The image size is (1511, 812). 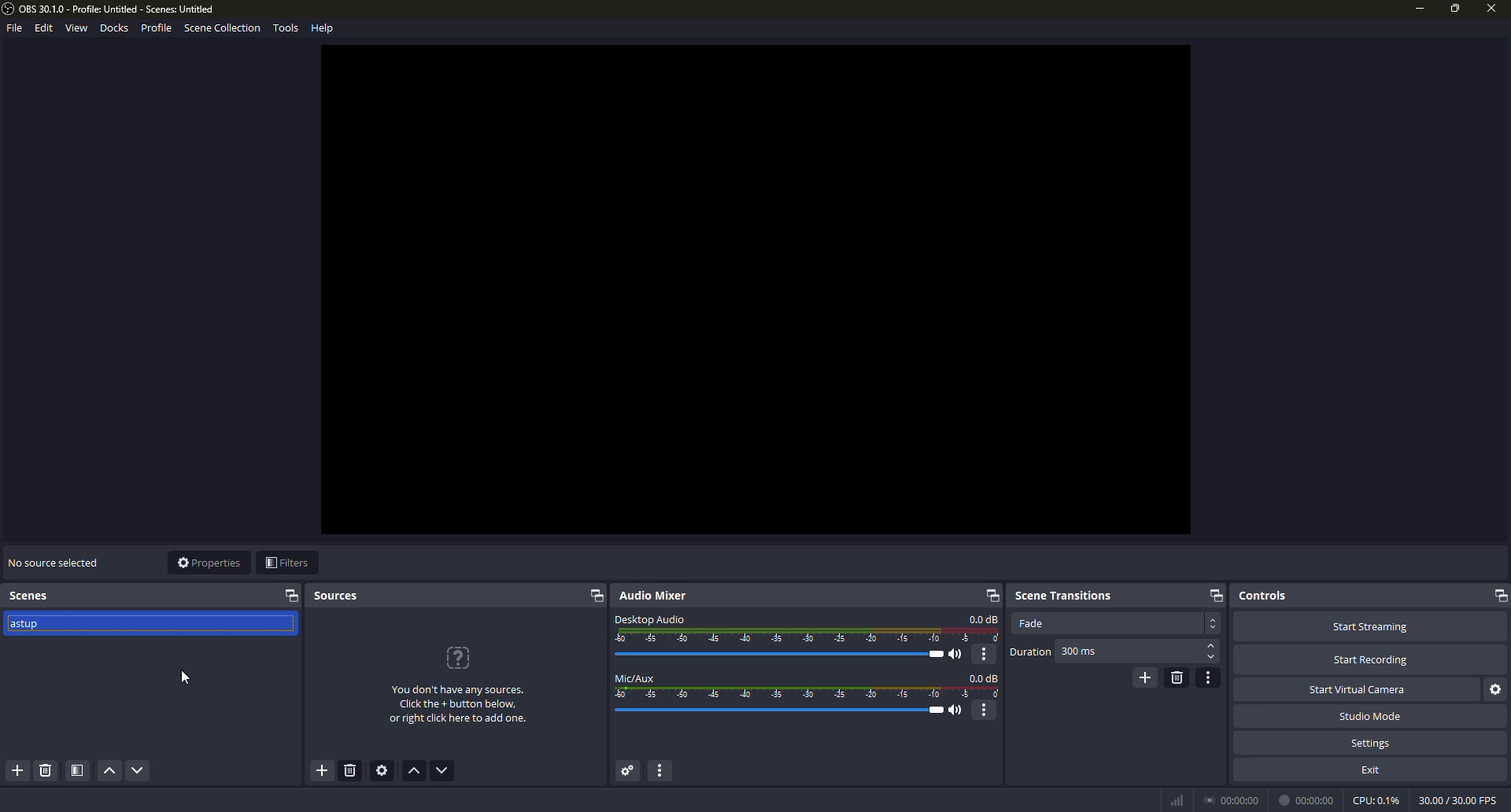 I want to click on profile, so click(x=156, y=28).